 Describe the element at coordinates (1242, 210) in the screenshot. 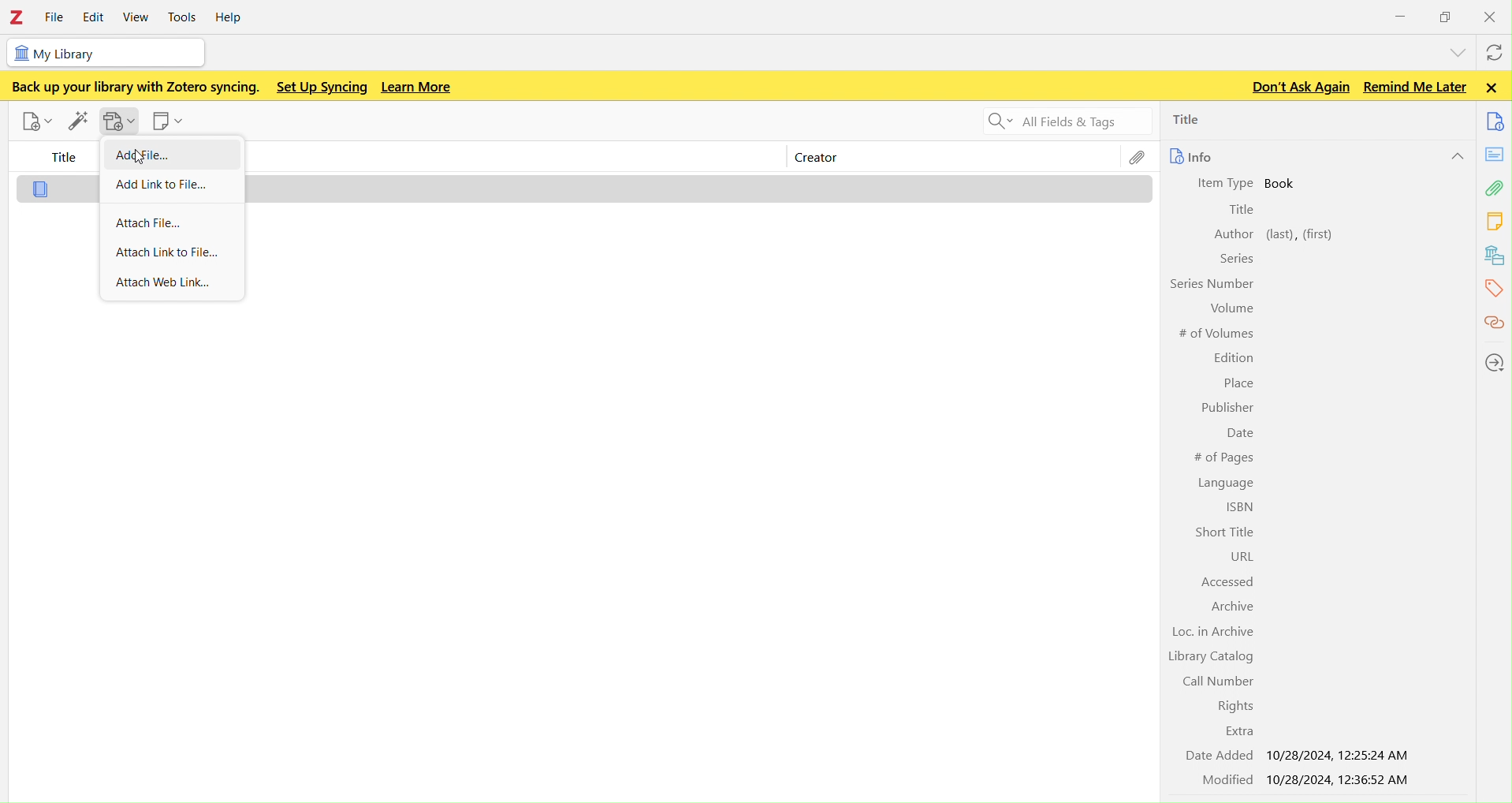

I see `Title` at that location.